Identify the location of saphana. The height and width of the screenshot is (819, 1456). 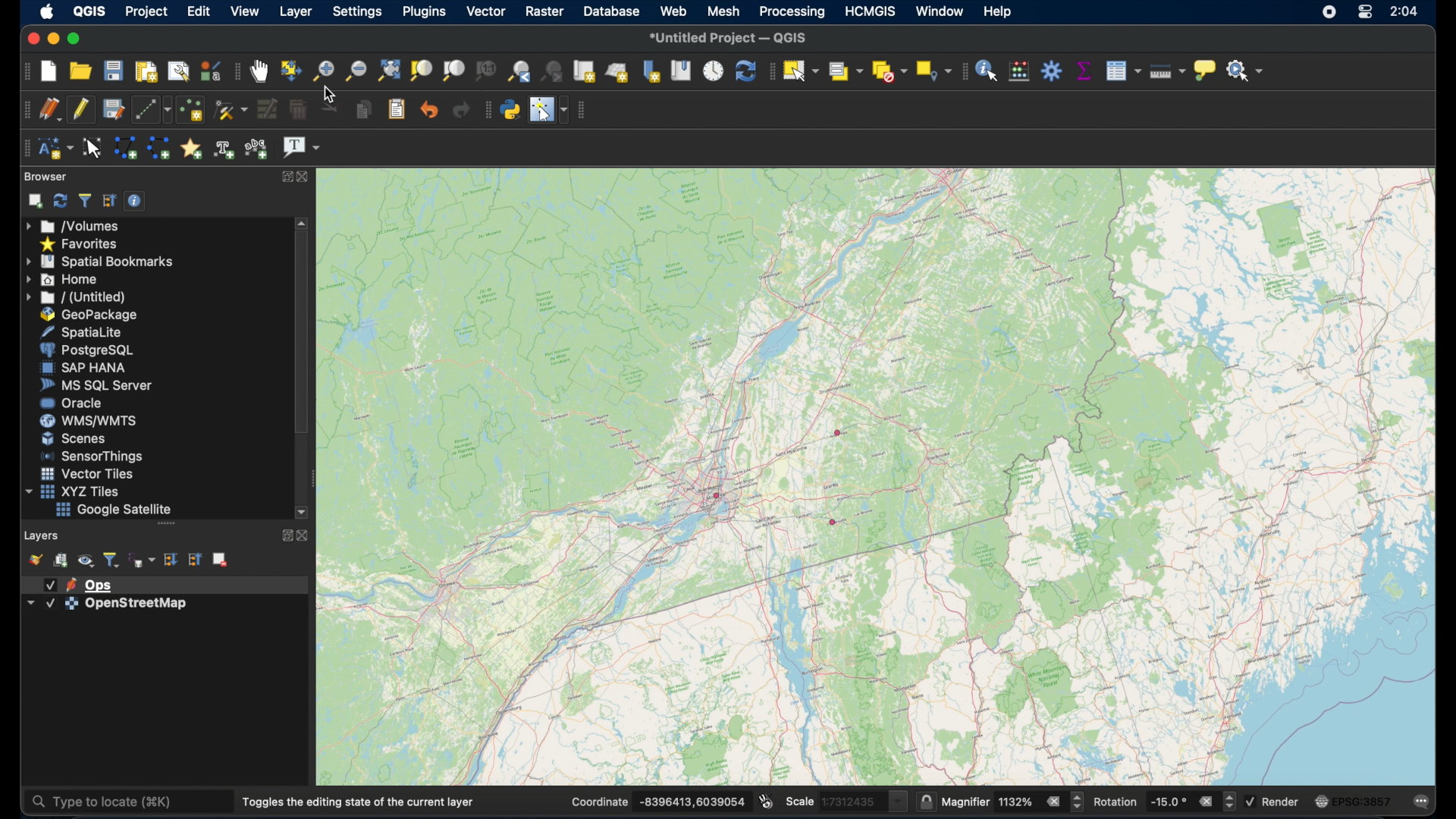
(80, 369).